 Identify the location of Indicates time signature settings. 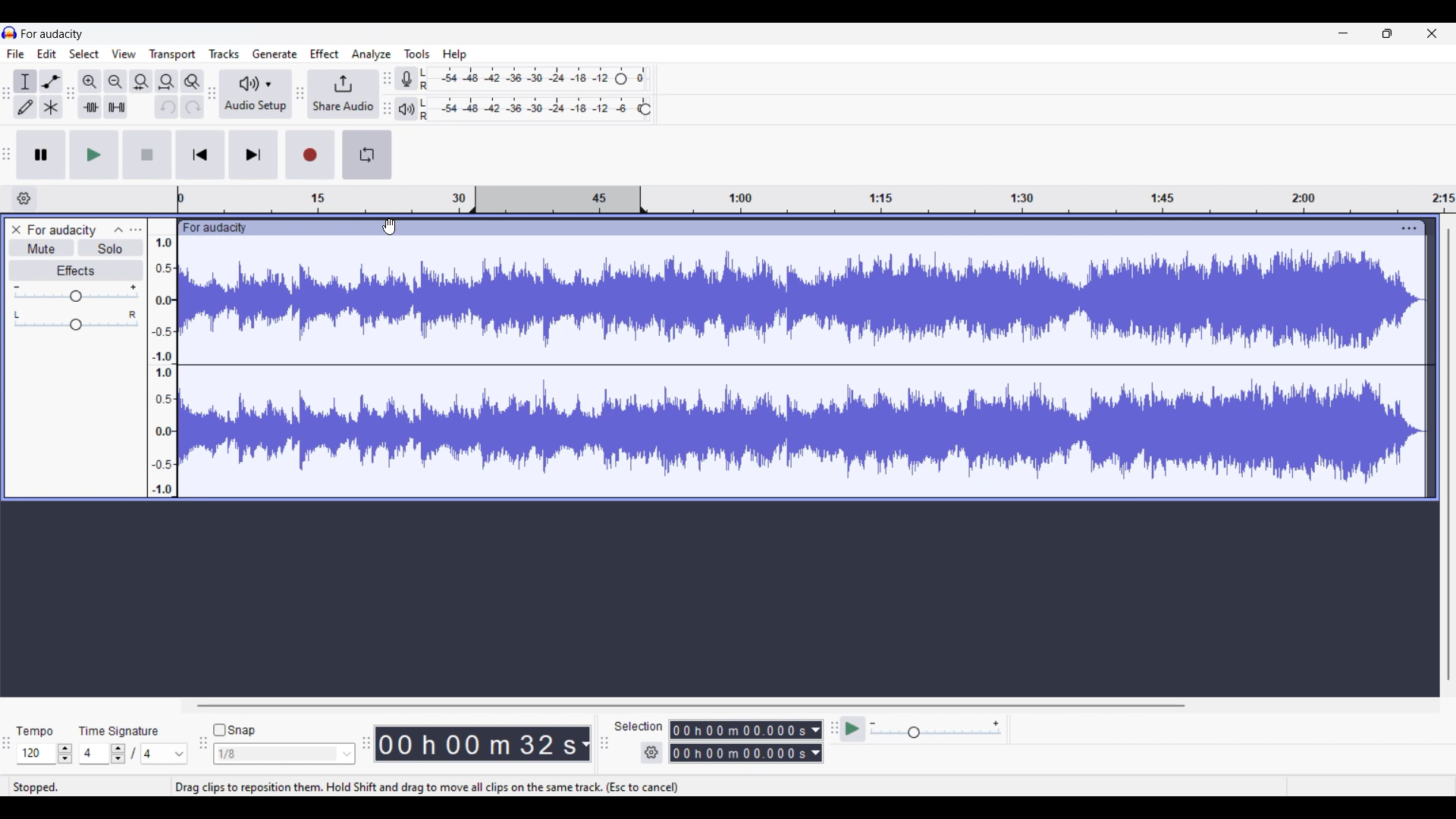
(120, 731).